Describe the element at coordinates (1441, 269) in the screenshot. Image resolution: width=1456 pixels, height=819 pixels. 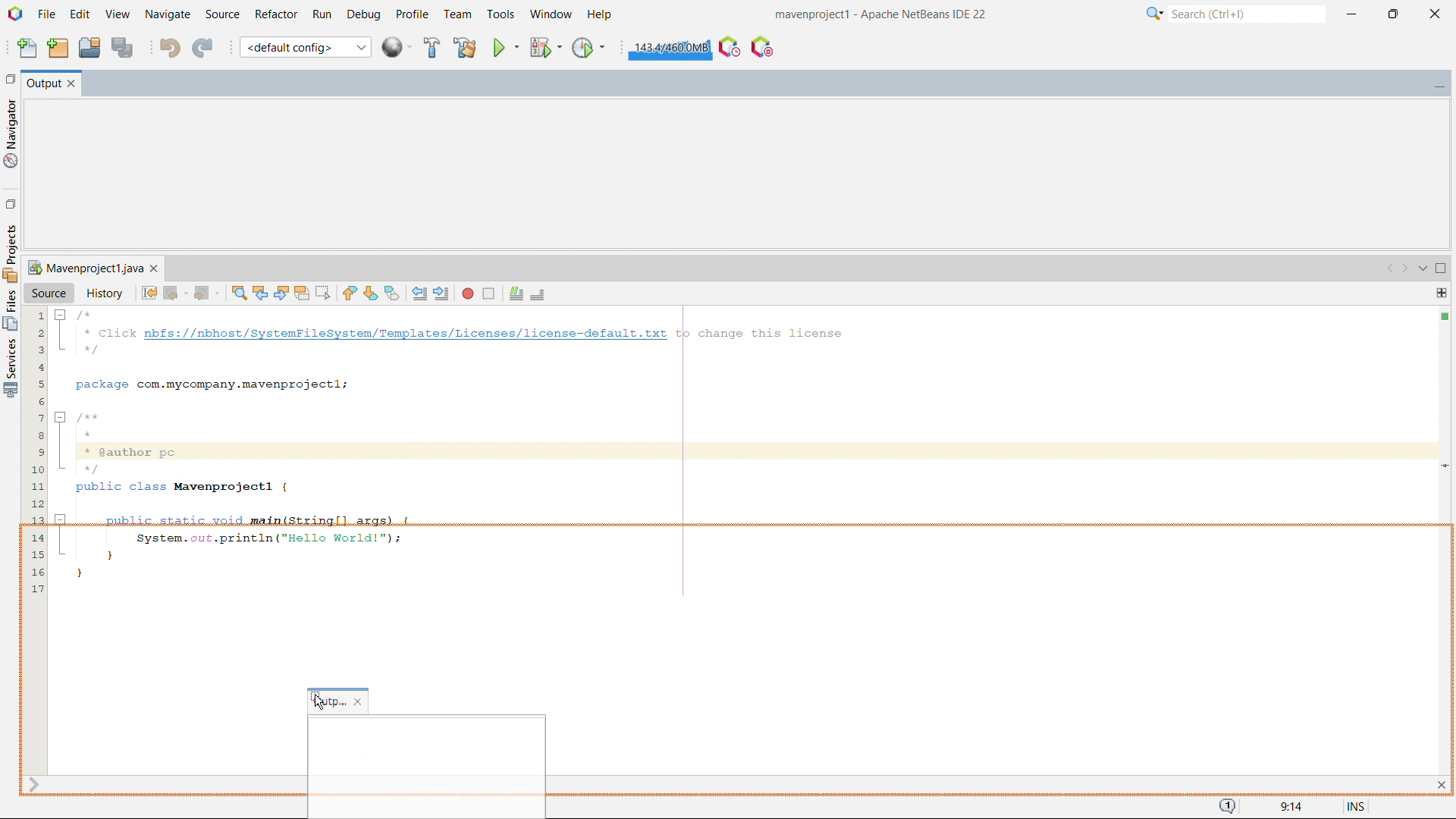
I see `maximize` at that location.